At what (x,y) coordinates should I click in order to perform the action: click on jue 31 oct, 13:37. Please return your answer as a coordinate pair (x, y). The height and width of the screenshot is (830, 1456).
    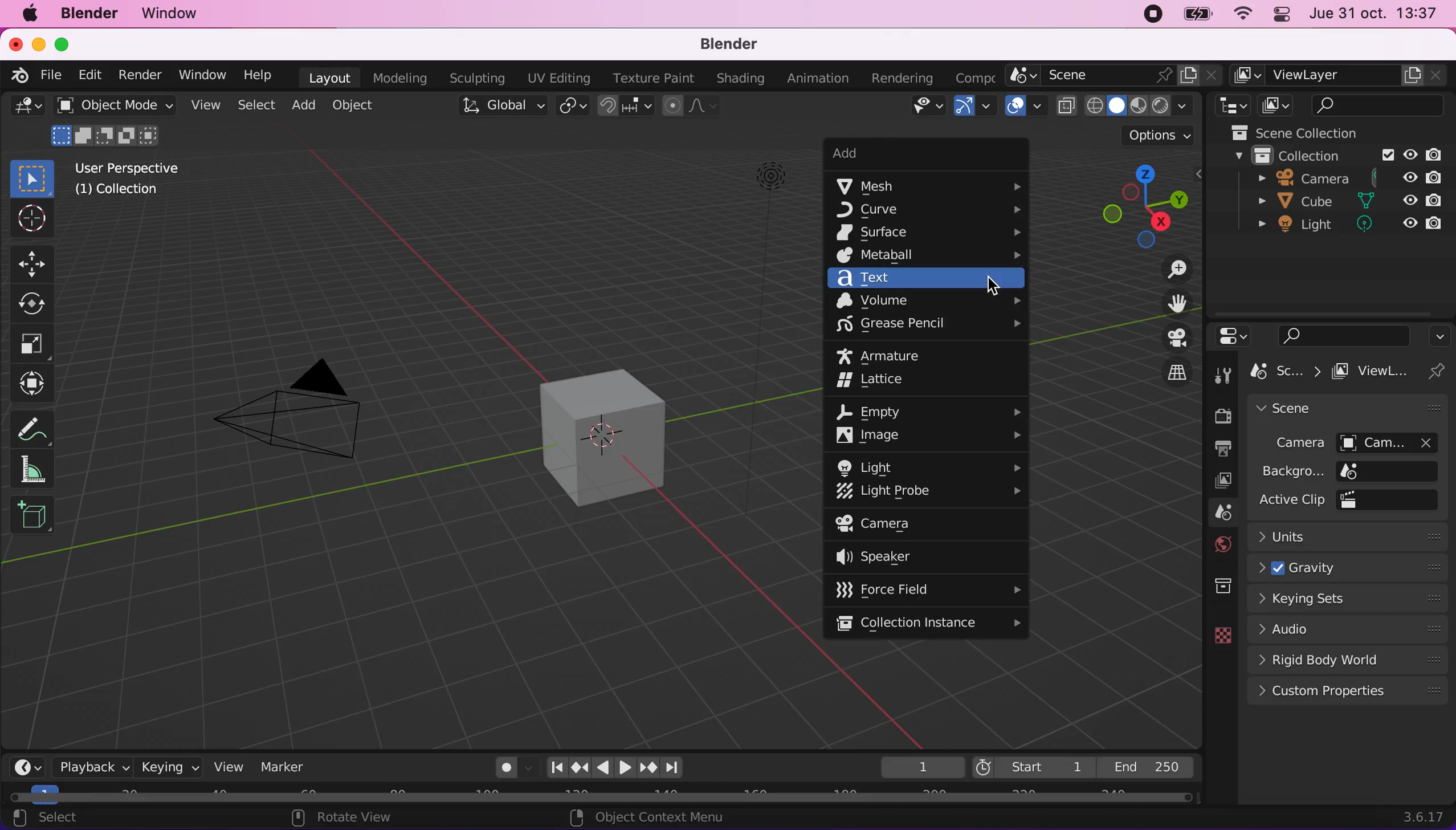
    Looking at the image, I should click on (1378, 14).